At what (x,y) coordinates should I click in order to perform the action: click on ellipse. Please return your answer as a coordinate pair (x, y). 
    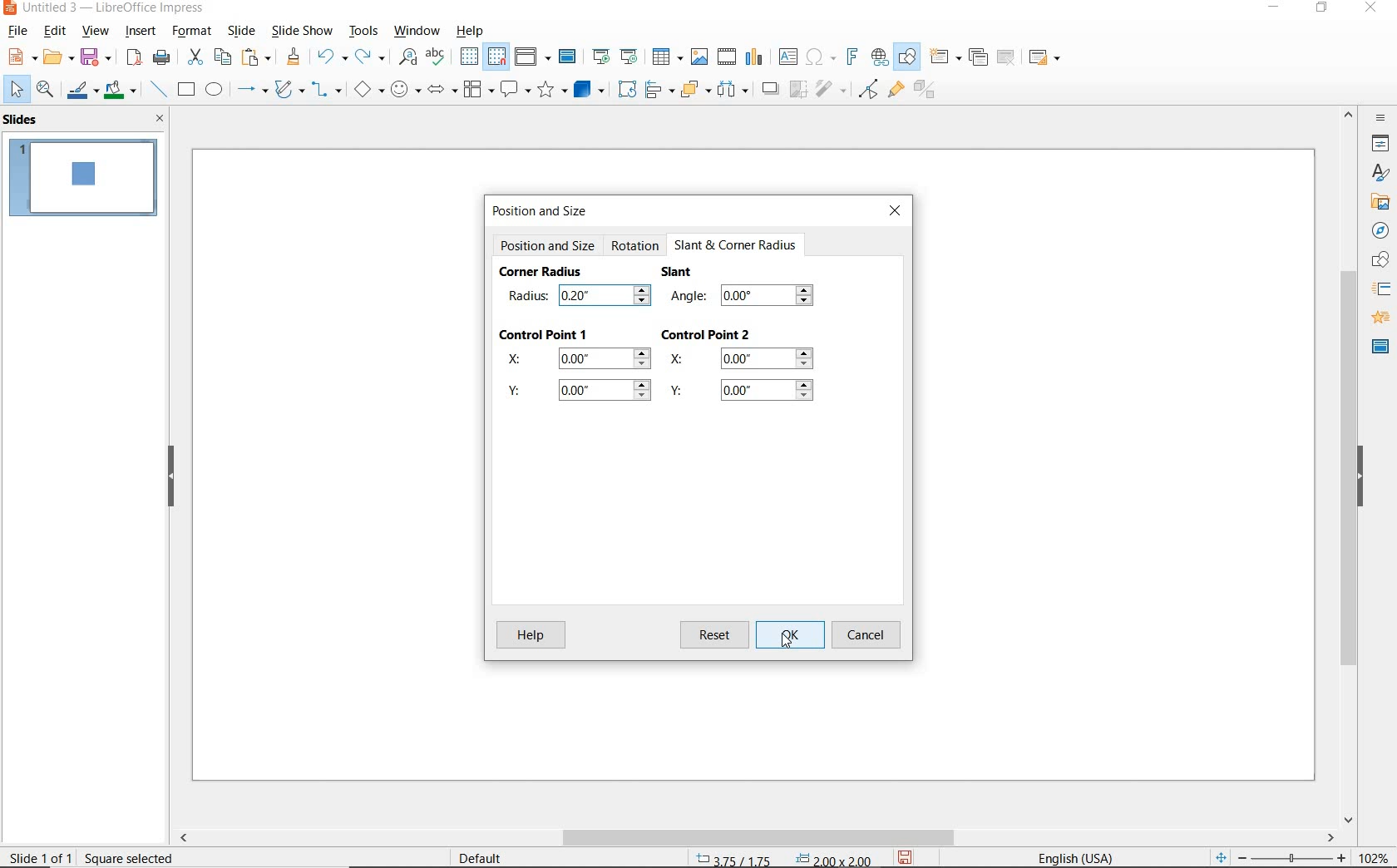
    Looking at the image, I should click on (215, 89).